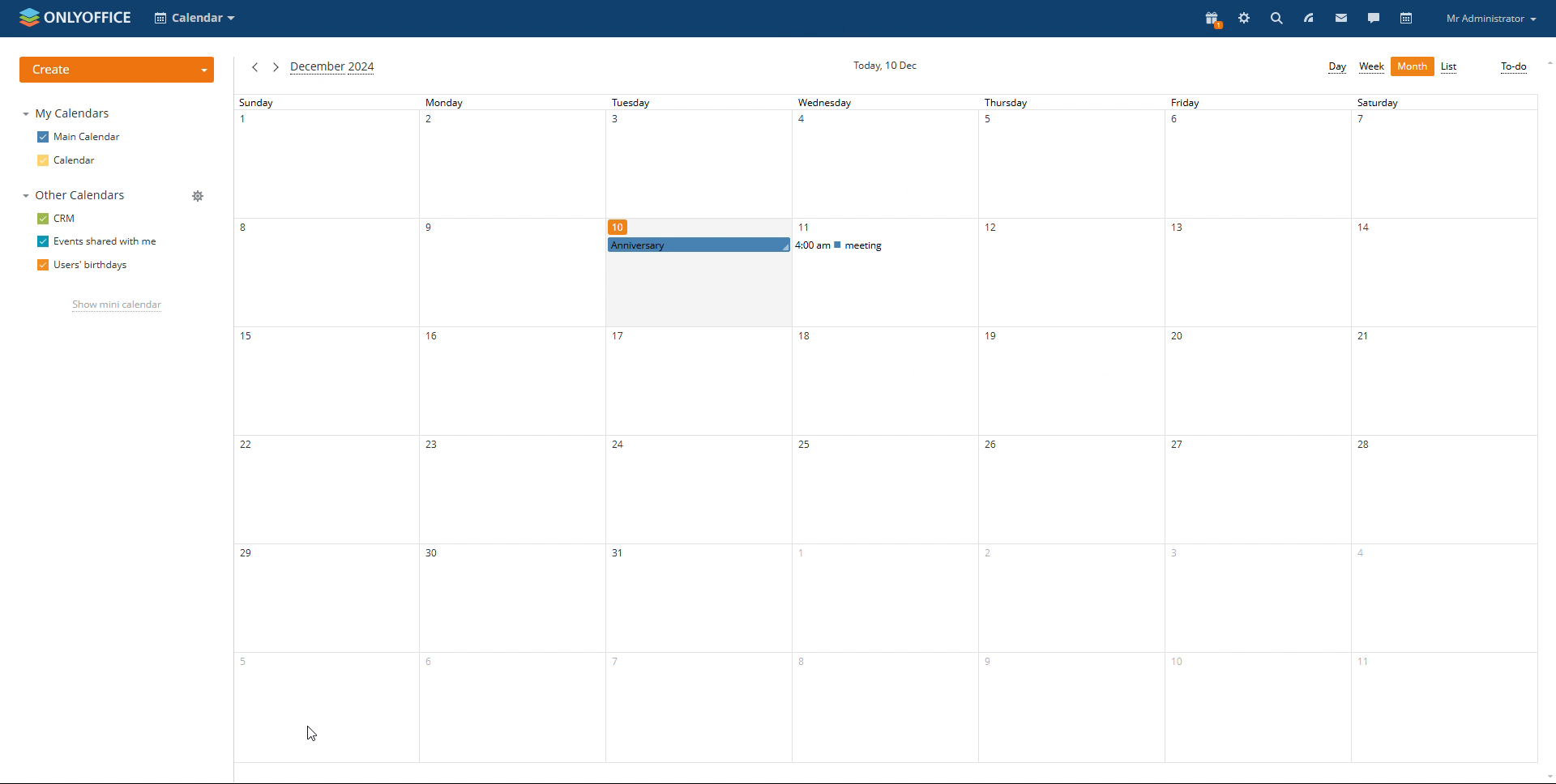 The width and height of the screenshot is (1556, 784). Describe the element at coordinates (196, 195) in the screenshot. I see `manage` at that location.